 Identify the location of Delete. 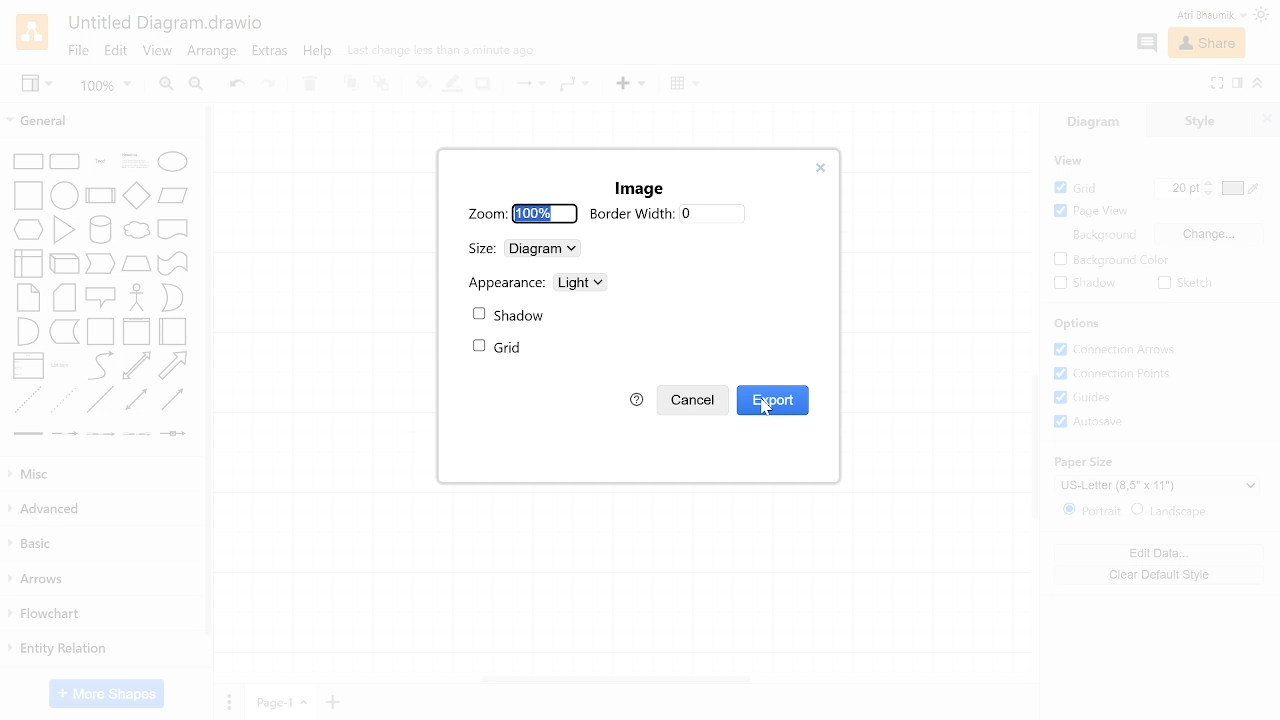
(310, 85).